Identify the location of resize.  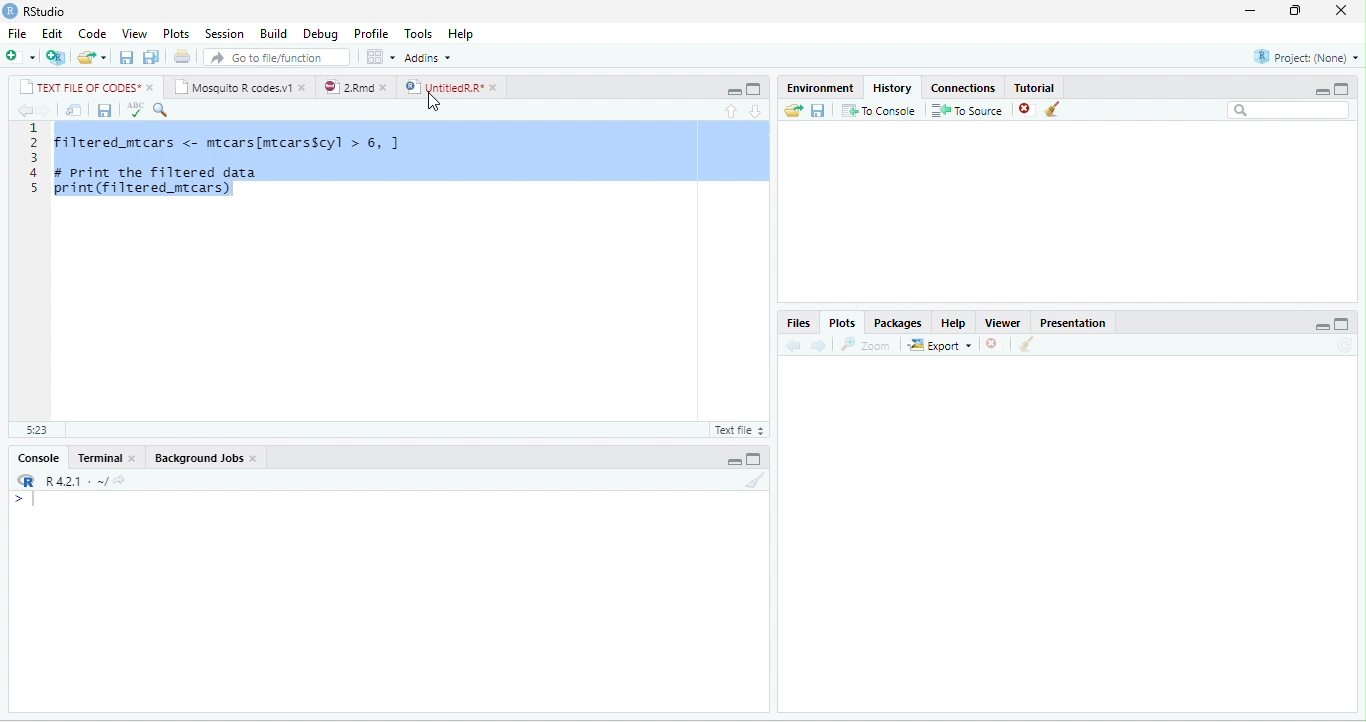
(1292, 11).